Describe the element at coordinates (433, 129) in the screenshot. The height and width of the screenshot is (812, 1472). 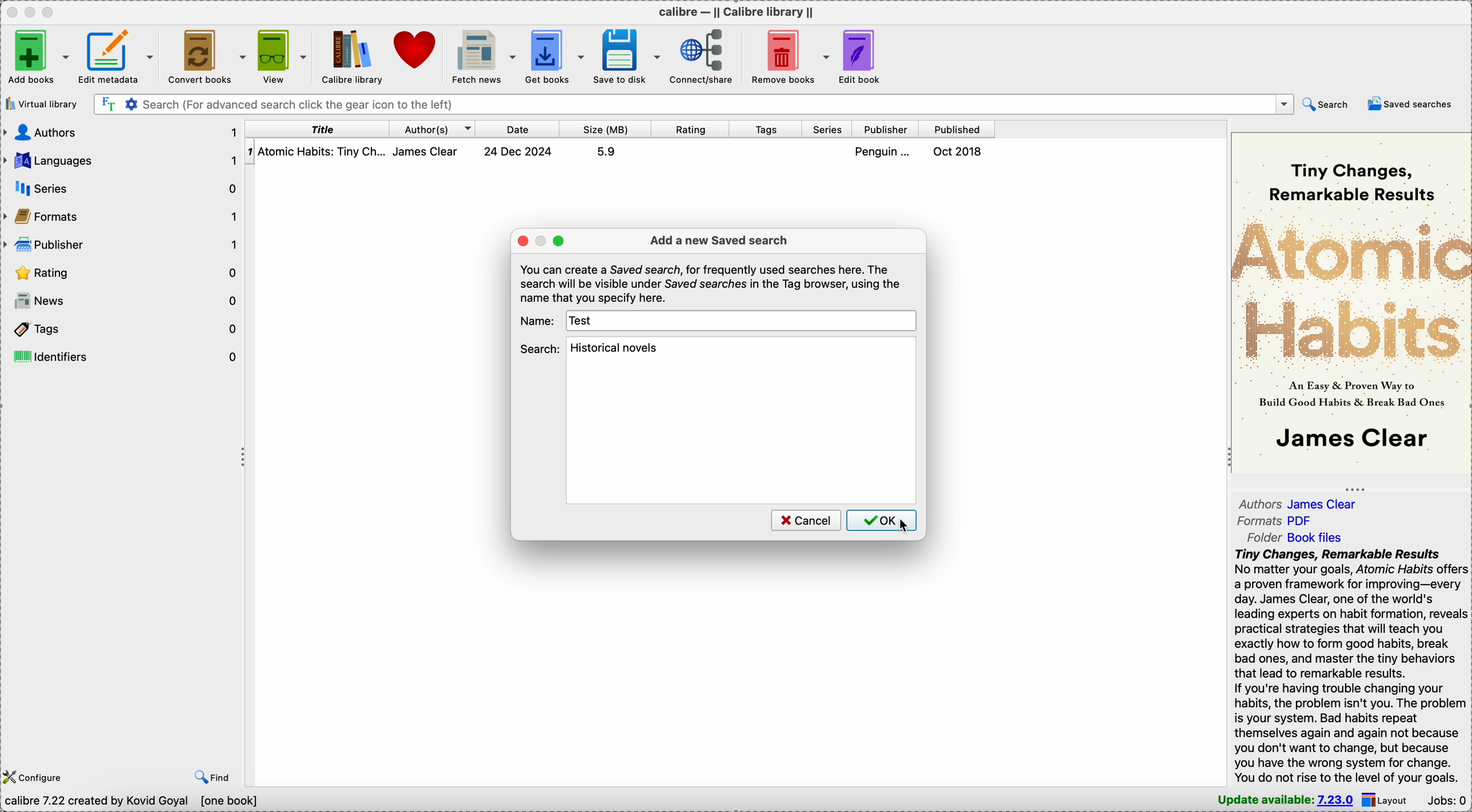
I see `authors` at that location.